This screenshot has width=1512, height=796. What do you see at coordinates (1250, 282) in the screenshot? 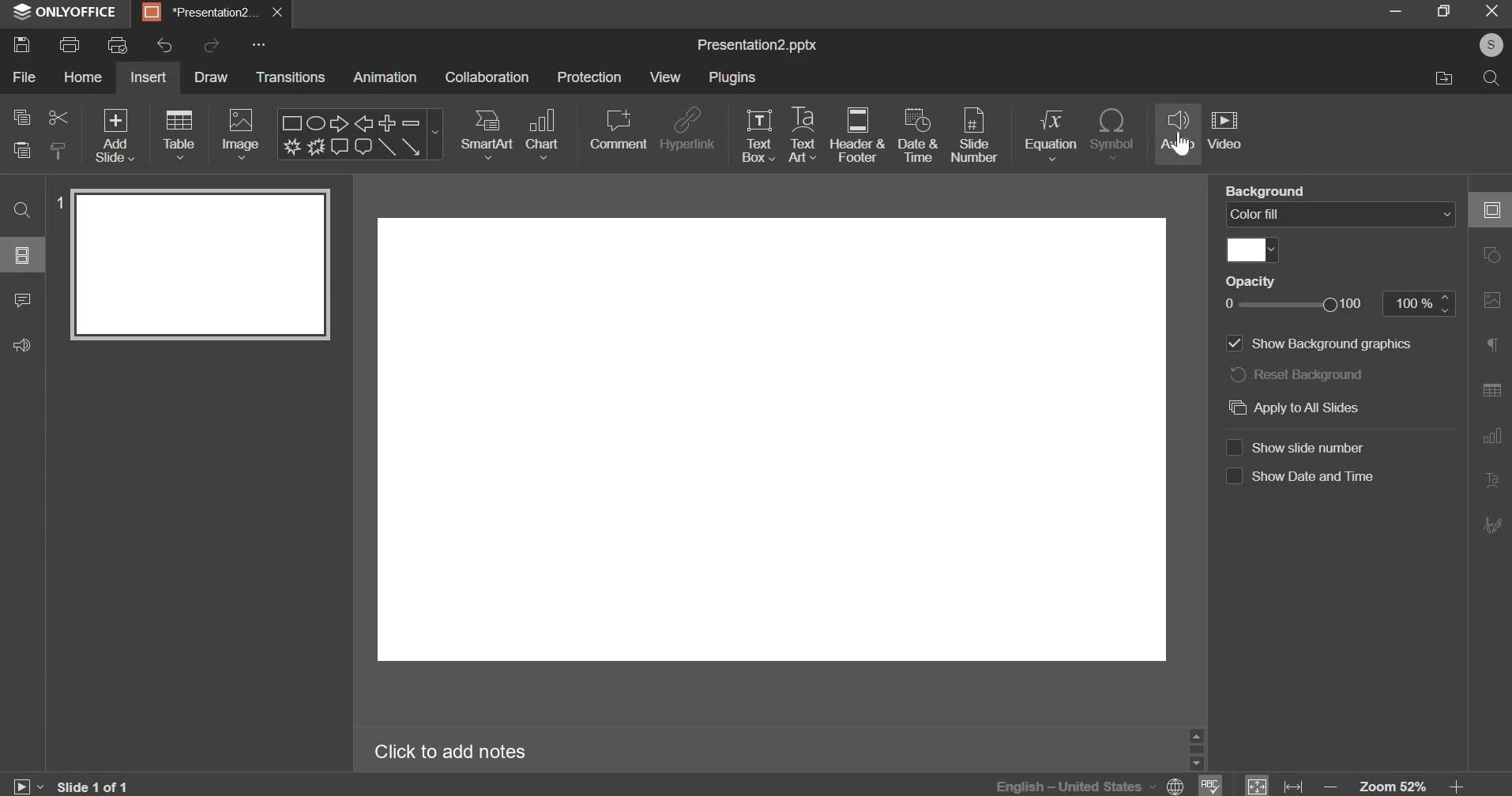
I see `opacity` at bounding box center [1250, 282].